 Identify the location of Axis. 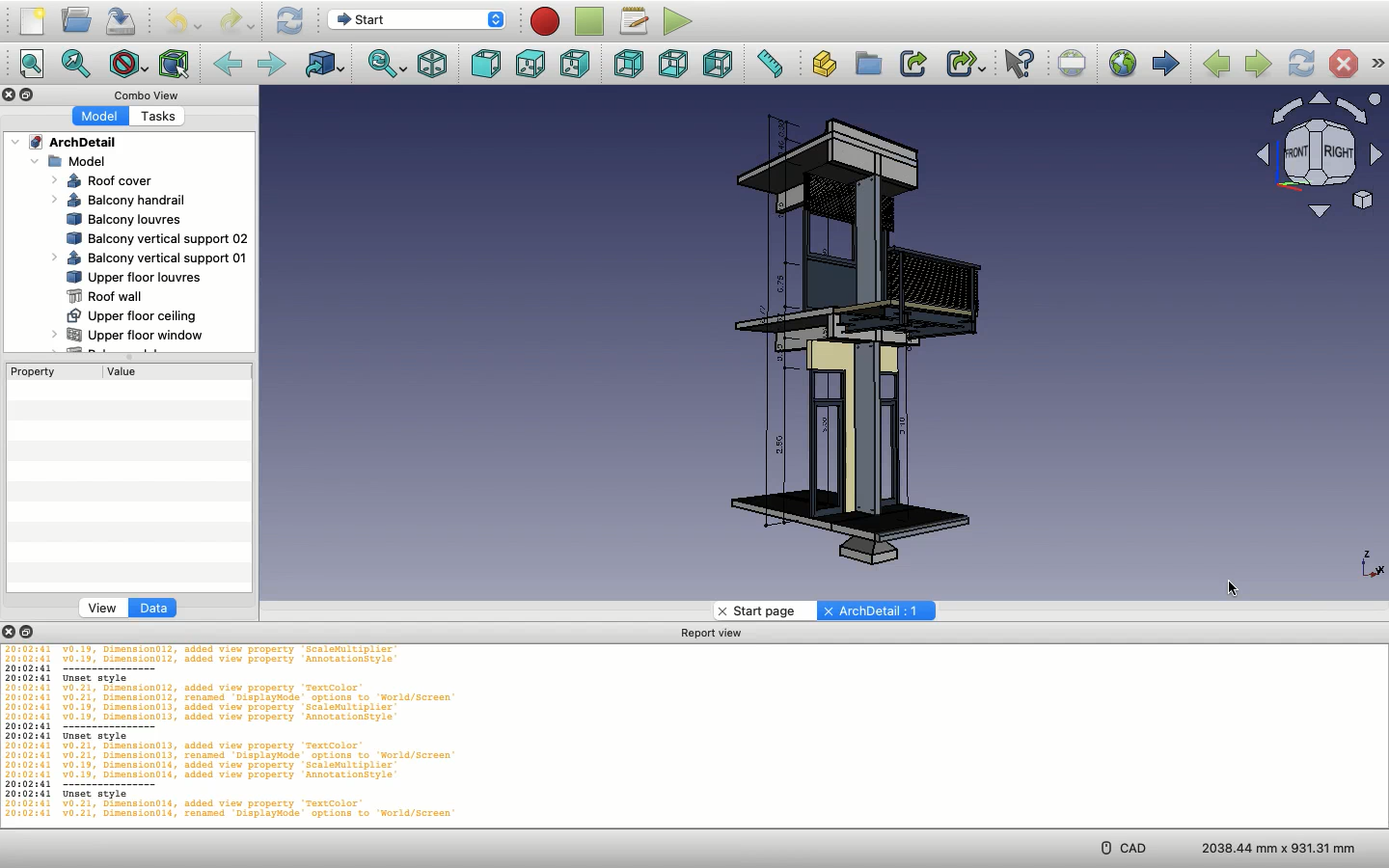
(1368, 563).